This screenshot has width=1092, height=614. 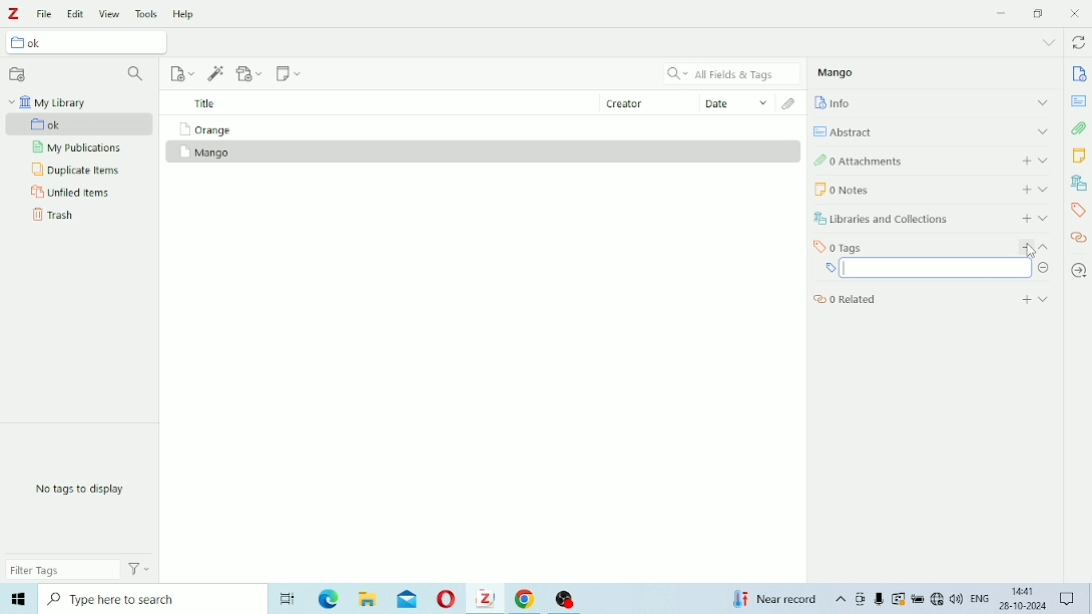 I want to click on Add Attachment, so click(x=250, y=74).